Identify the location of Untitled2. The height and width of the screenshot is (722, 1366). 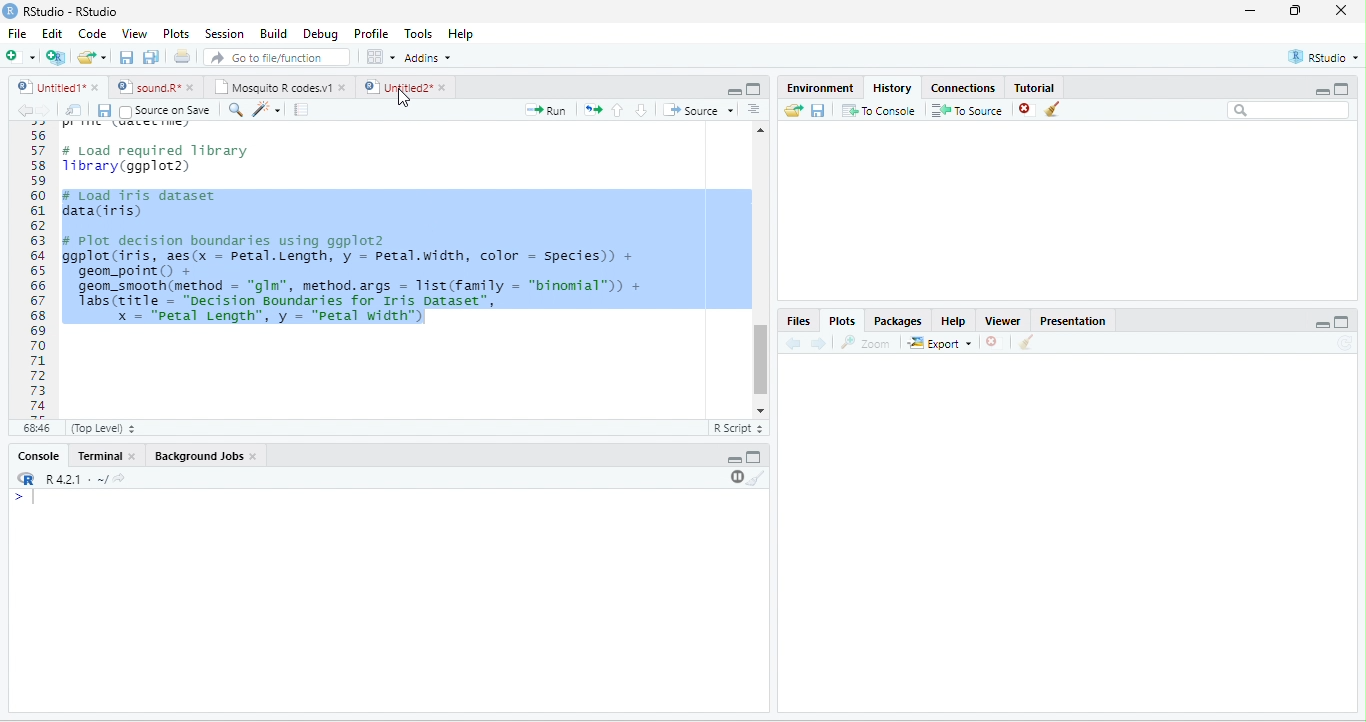
(396, 87).